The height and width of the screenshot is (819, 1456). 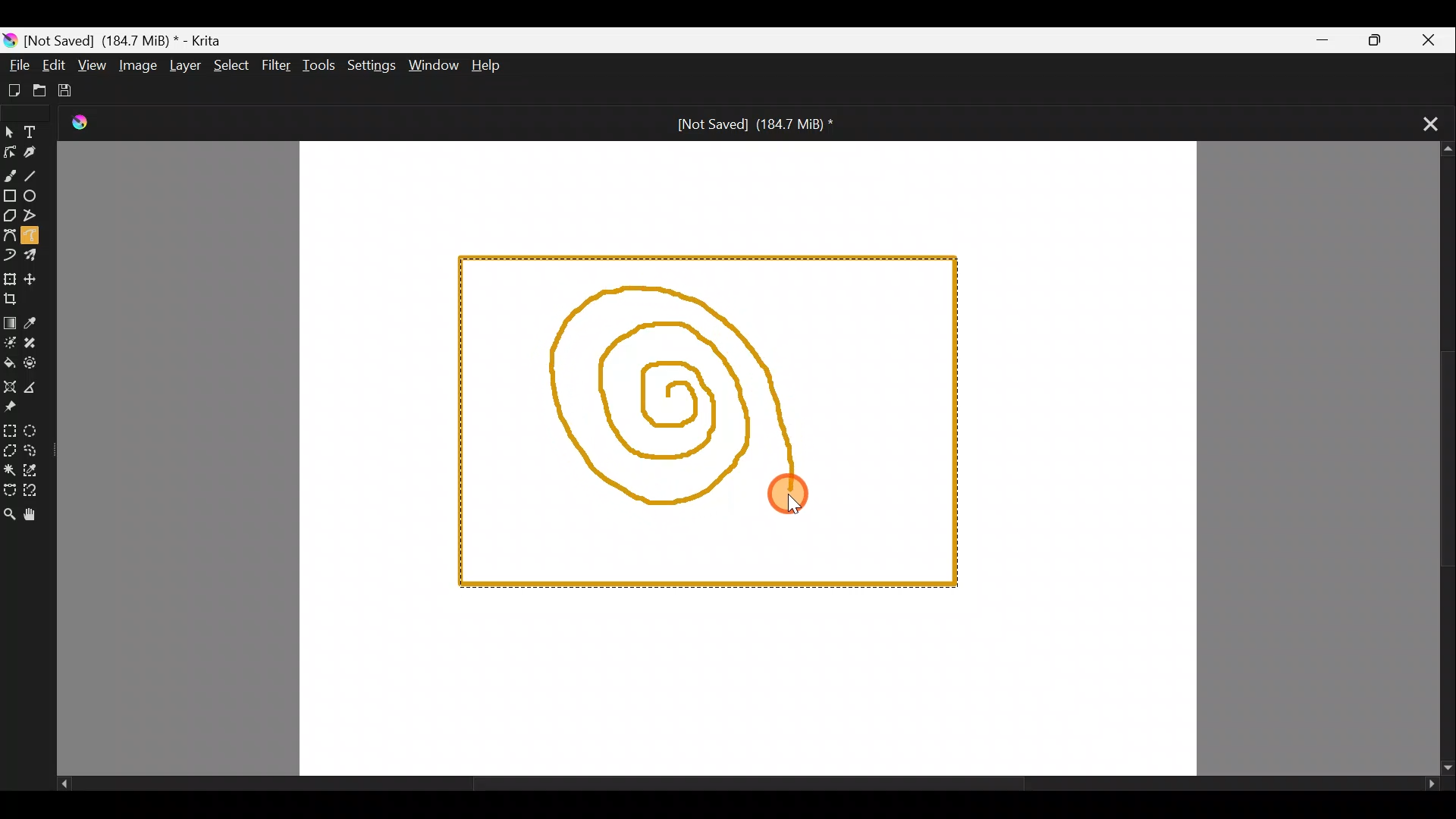 I want to click on Create new document, so click(x=15, y=90).